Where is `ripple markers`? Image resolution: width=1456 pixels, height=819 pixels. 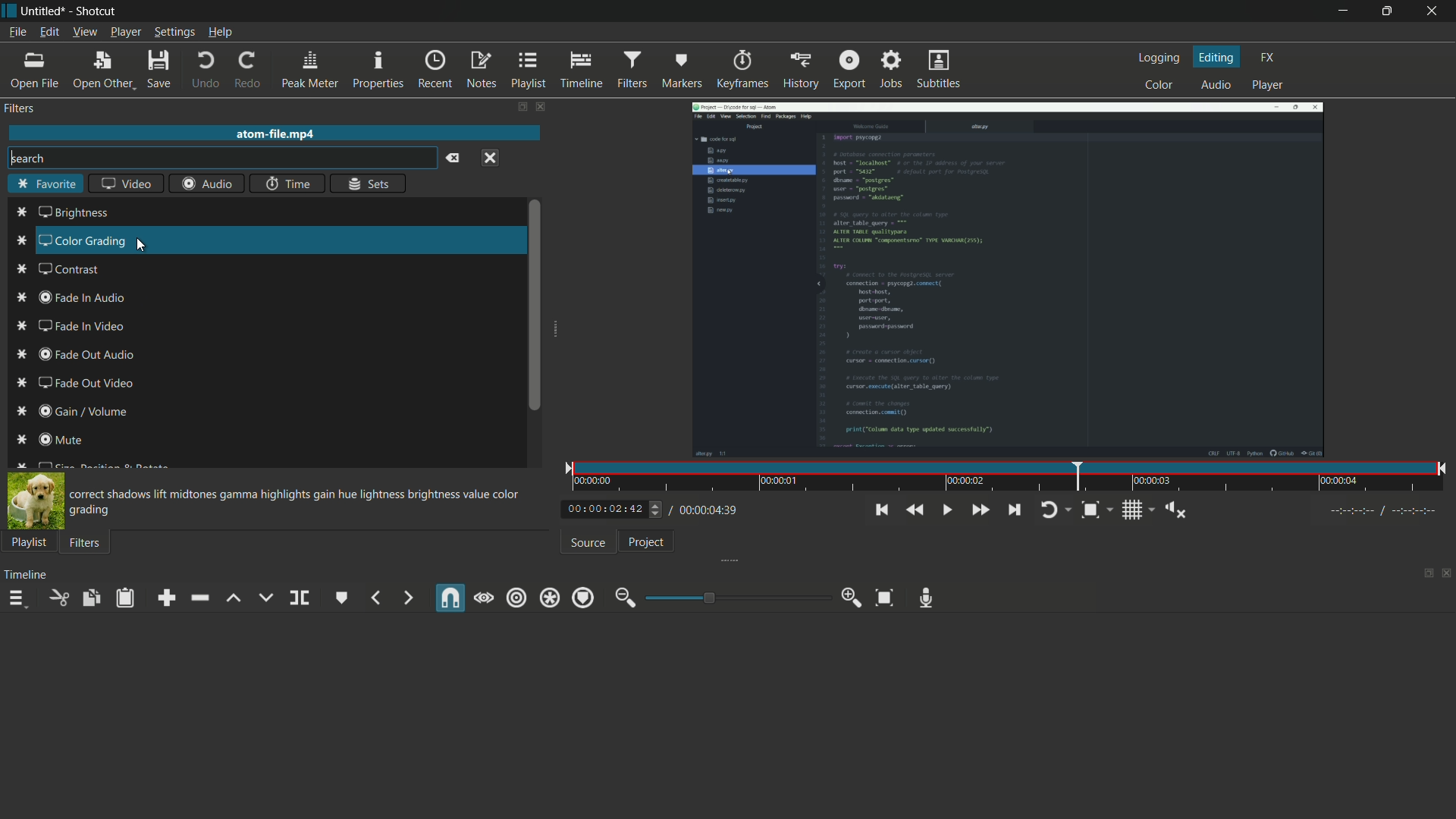 ripple markers is located at coordinates (583, 598).